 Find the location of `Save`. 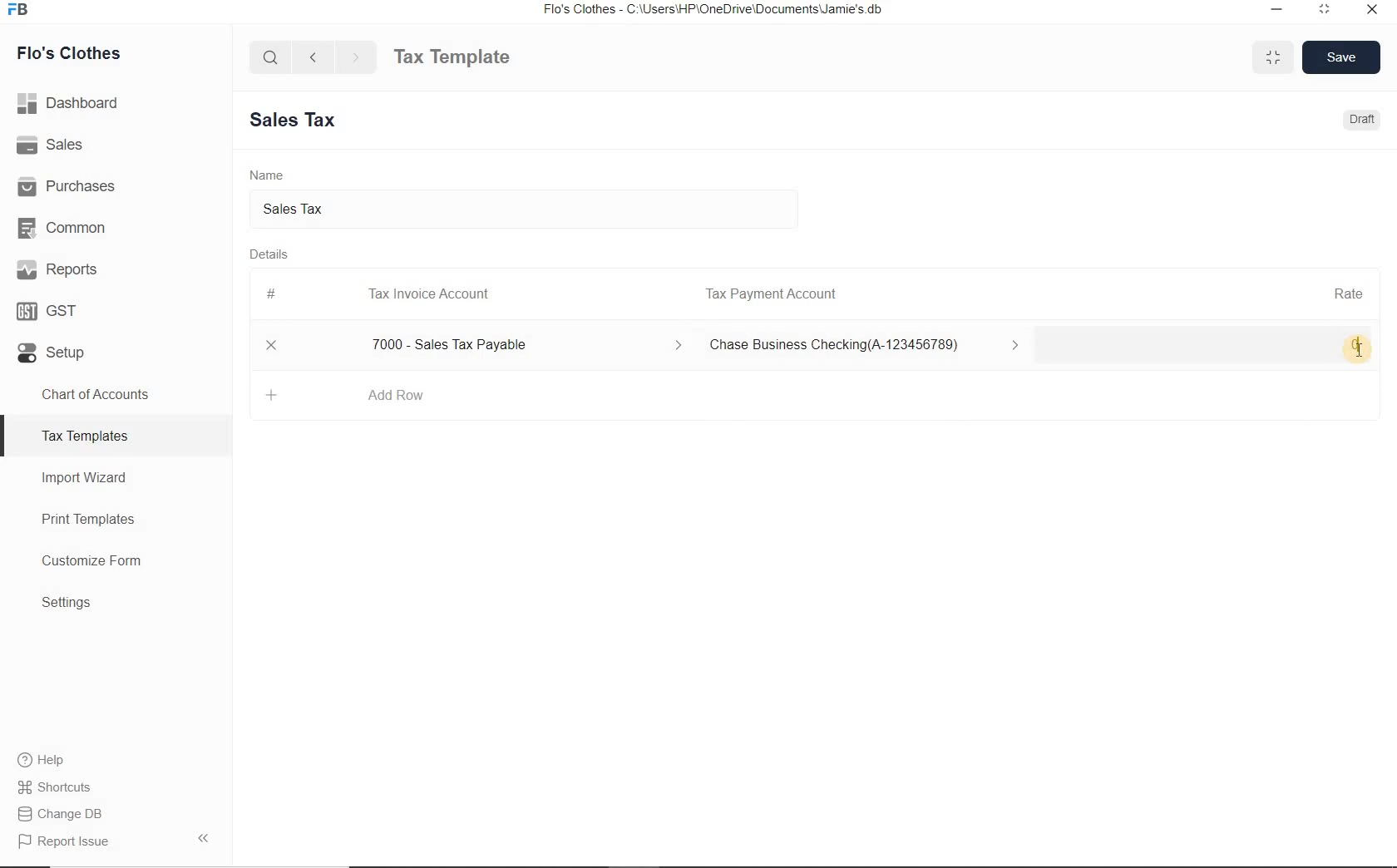

Save is located at coordinates (1342, 57).